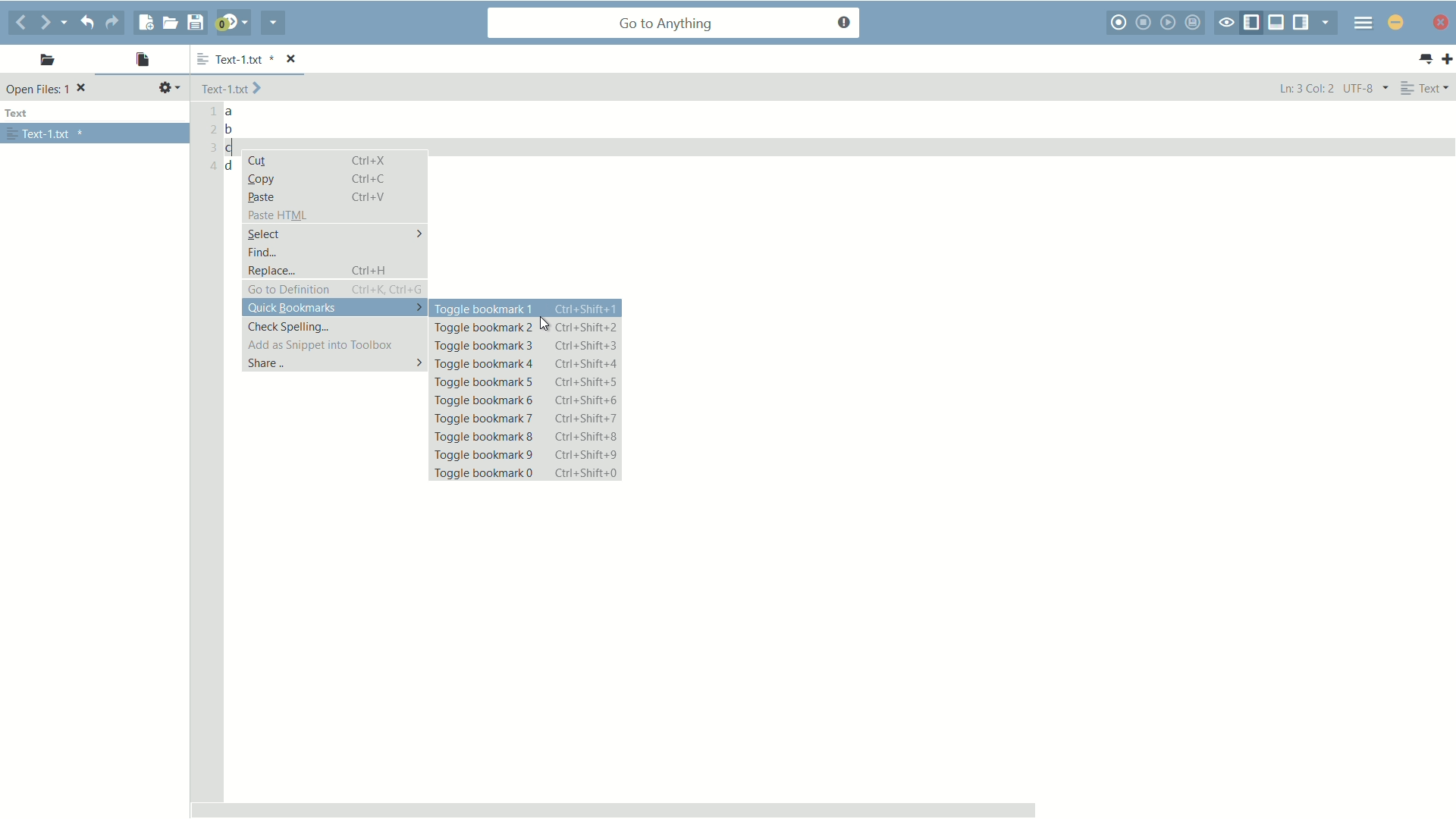 The width and height of the screenshot is (1456, 819). Describe the element at coordinates (527, 435) in the screenshot. I see `toggle bookmark 8` at that location.